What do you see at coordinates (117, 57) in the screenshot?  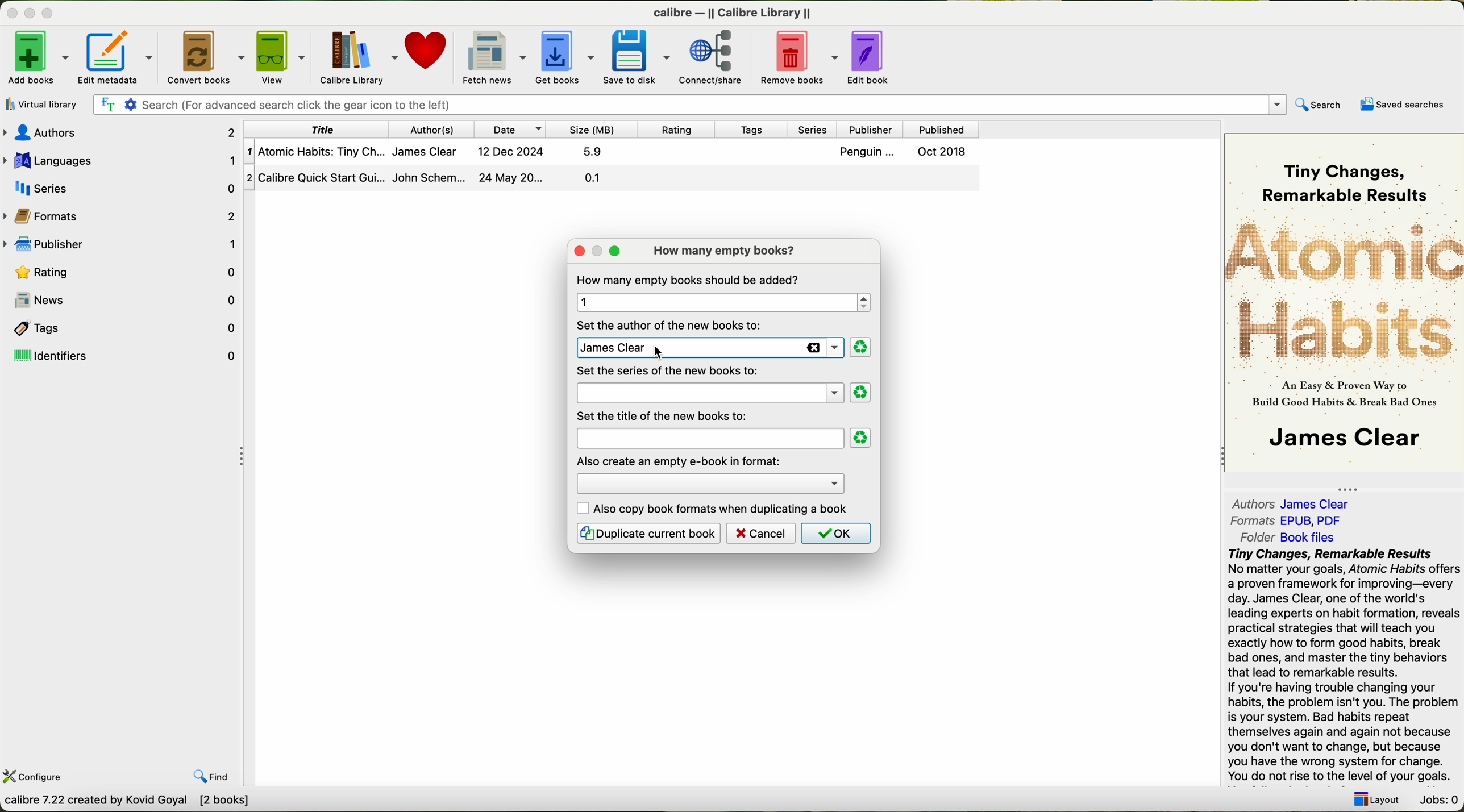 I see `edit metadata` at bounding box center [117, 57].